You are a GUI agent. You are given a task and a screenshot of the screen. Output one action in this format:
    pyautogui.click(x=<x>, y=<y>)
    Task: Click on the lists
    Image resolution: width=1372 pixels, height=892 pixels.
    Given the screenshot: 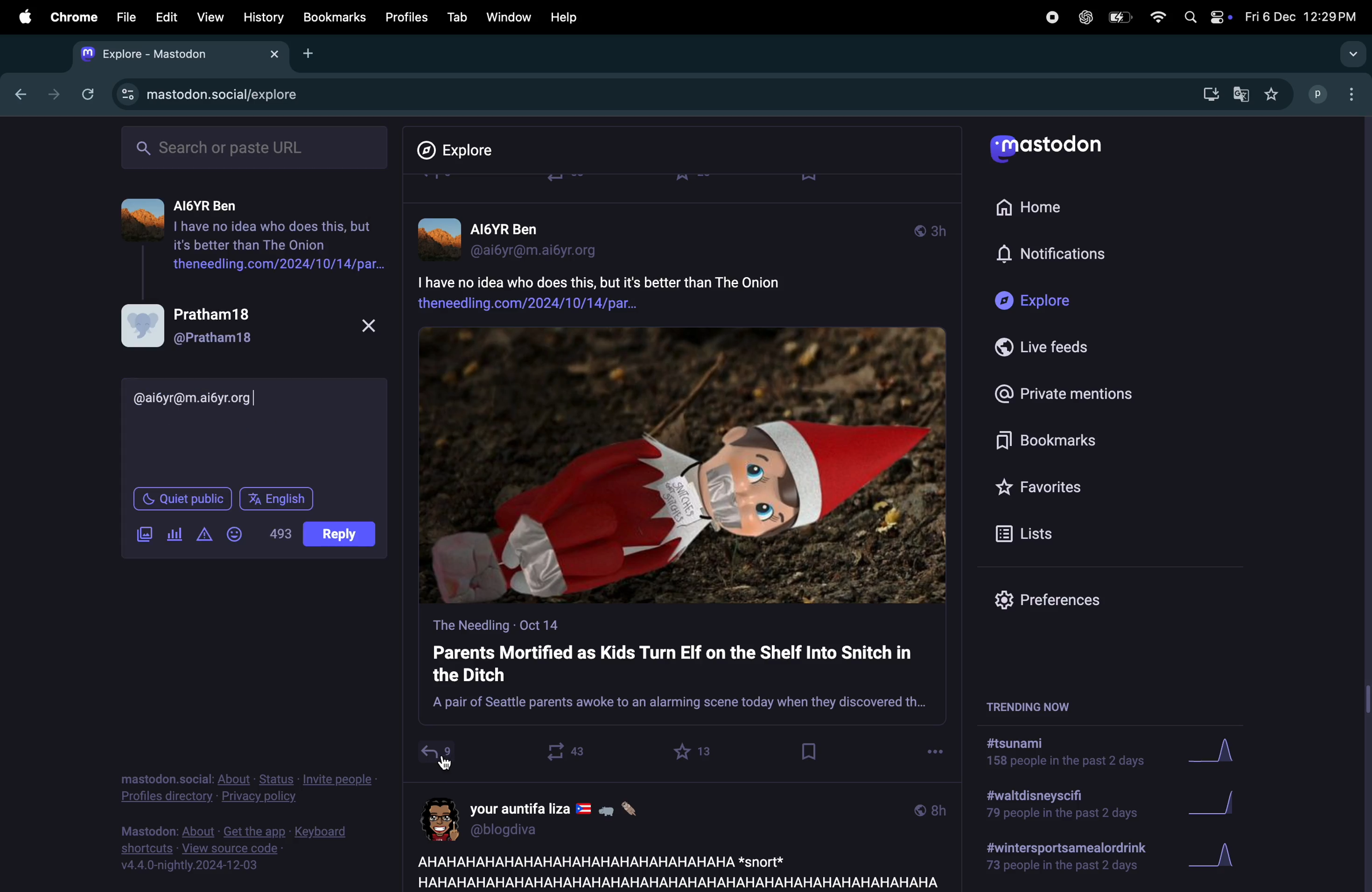 What is the action you would take?
    pyautogui.click(x=1030, y=533)
    